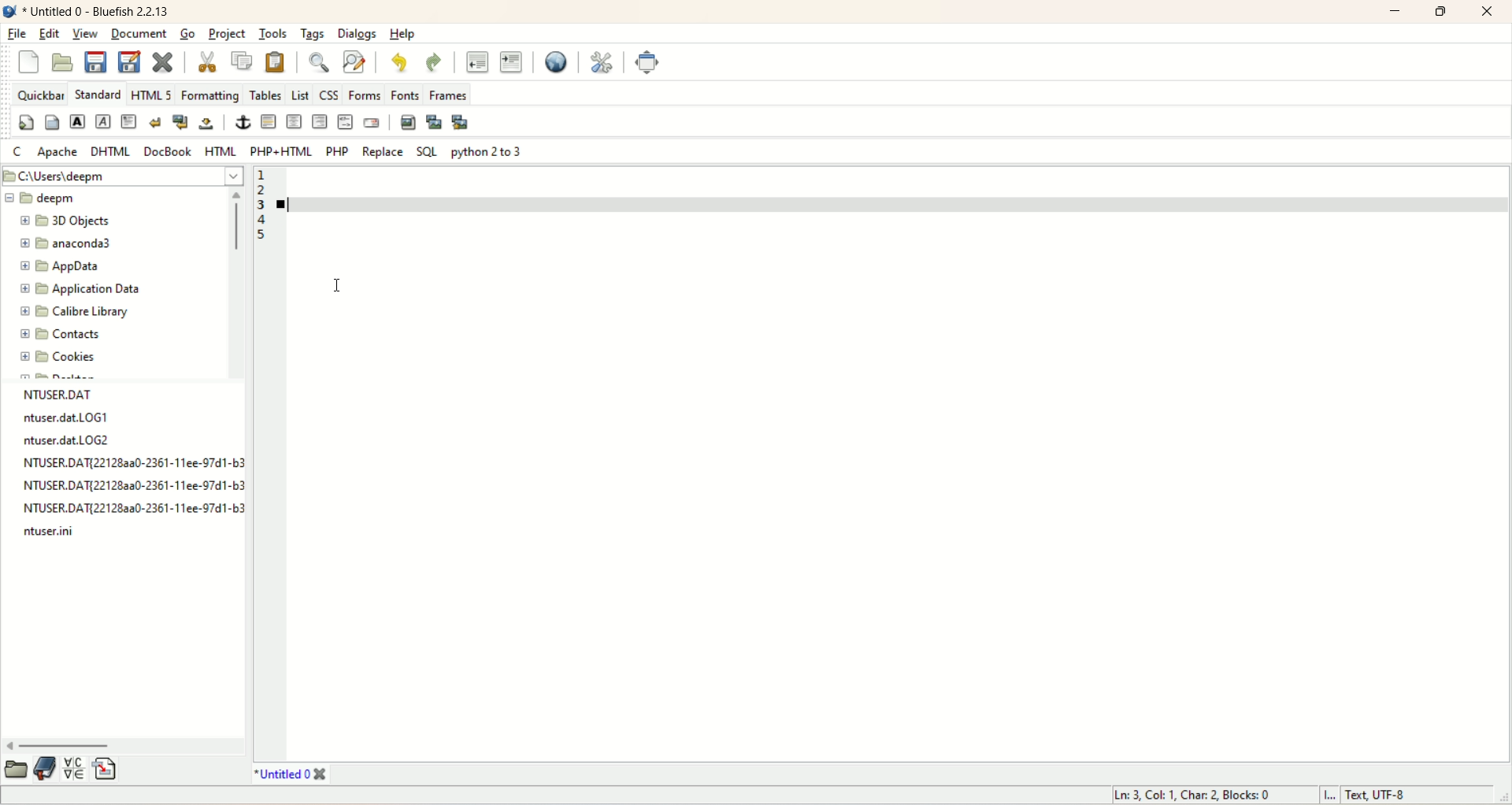 This screenshot has width=1512, height=805. I want to click on paste, so click(275, 60).